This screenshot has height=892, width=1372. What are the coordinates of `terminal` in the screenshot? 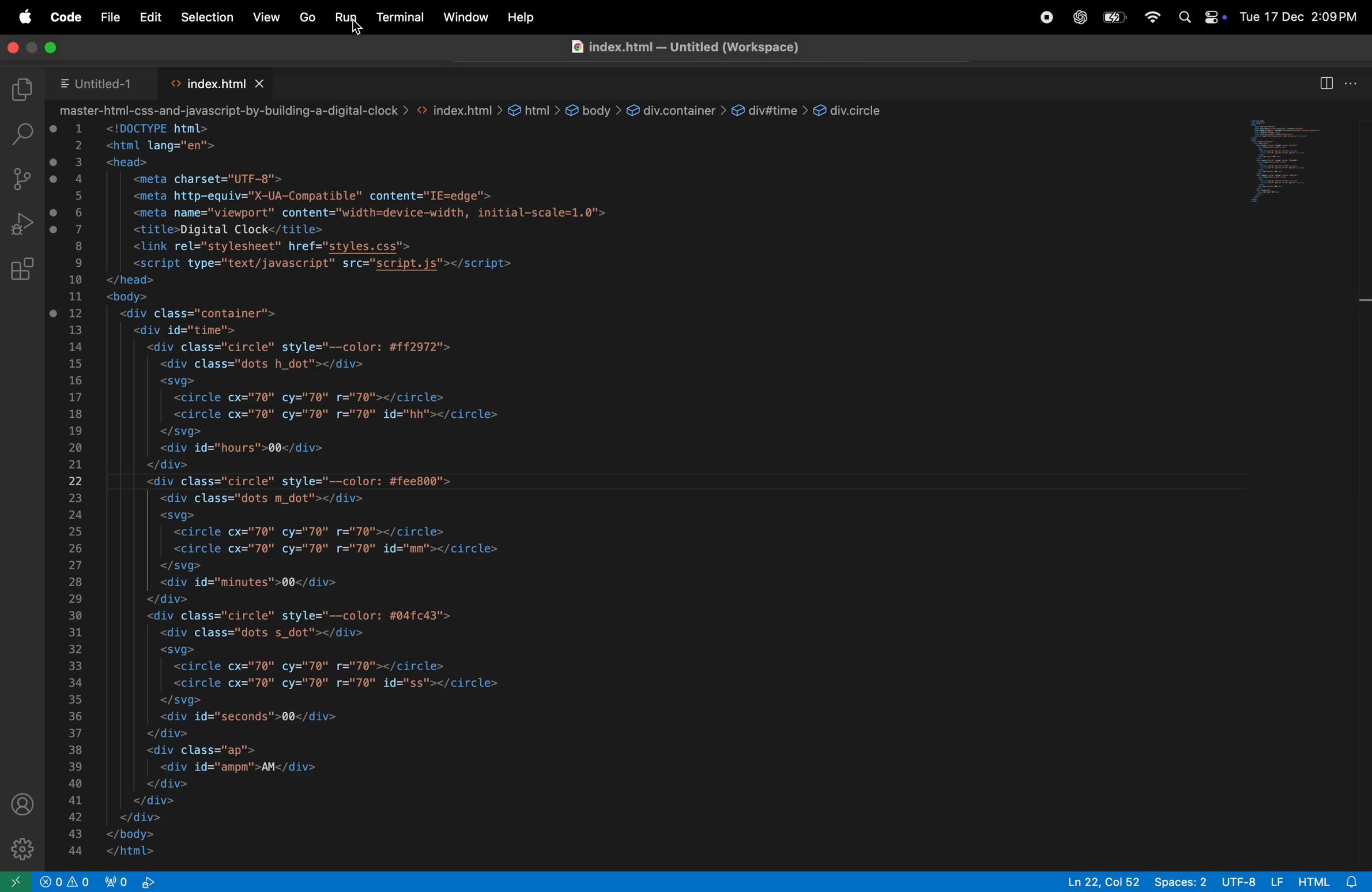 It's located at (400, 17).